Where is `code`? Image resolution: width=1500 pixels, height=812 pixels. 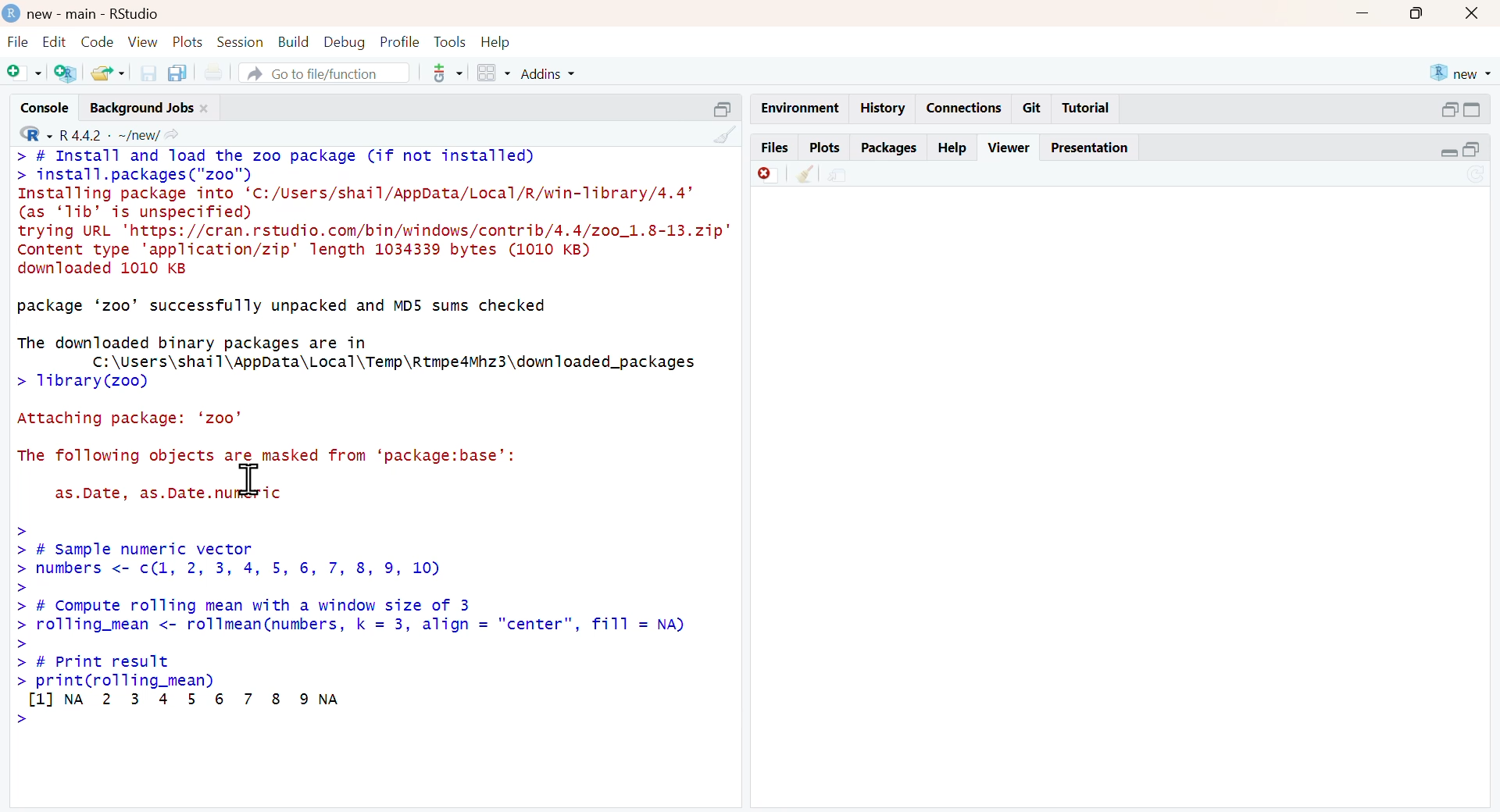
code is located at coordinates (97, 42).